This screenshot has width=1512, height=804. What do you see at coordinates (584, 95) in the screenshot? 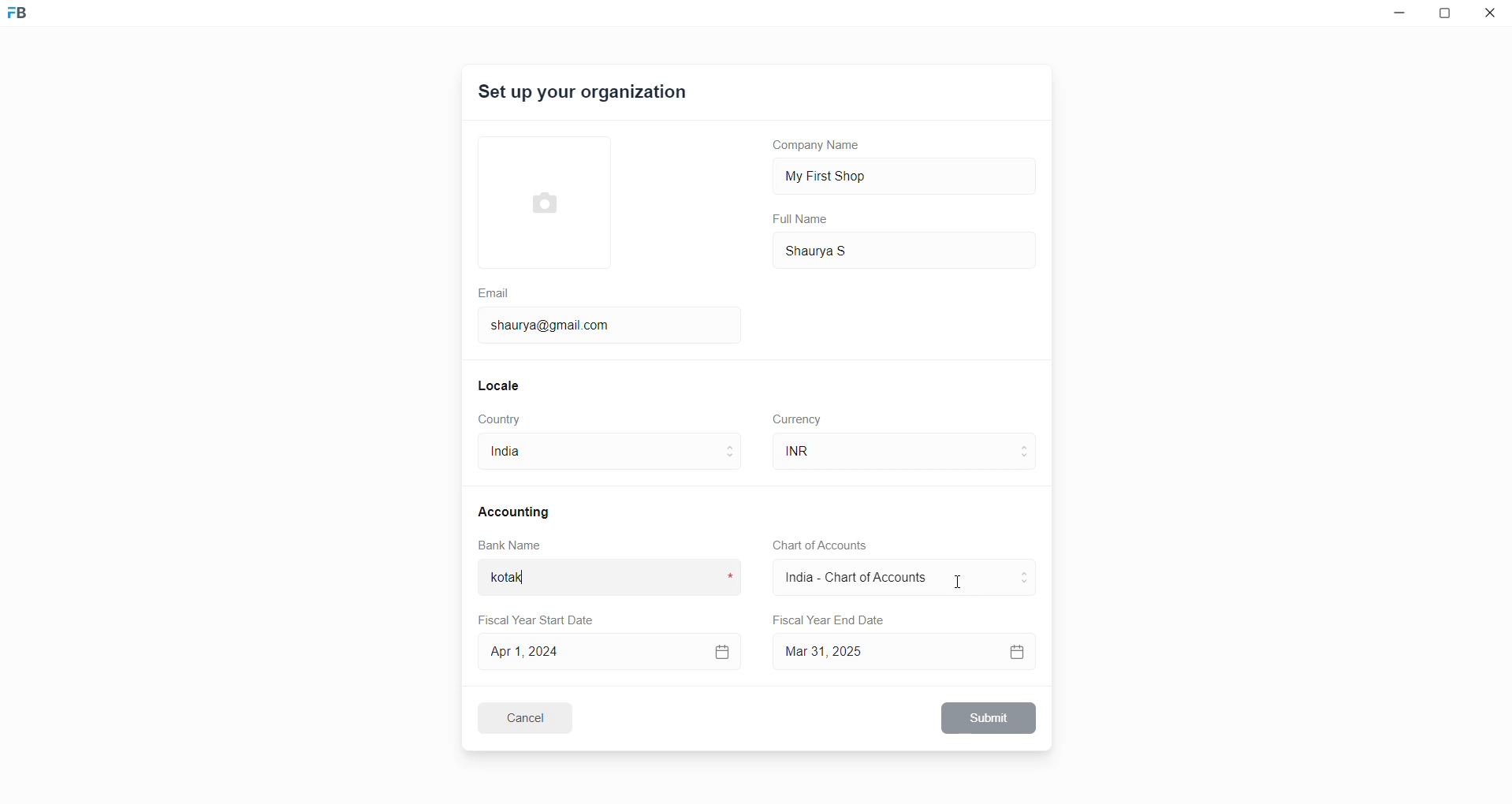
I see `Set up your organization` at bounding box center [584, 95].